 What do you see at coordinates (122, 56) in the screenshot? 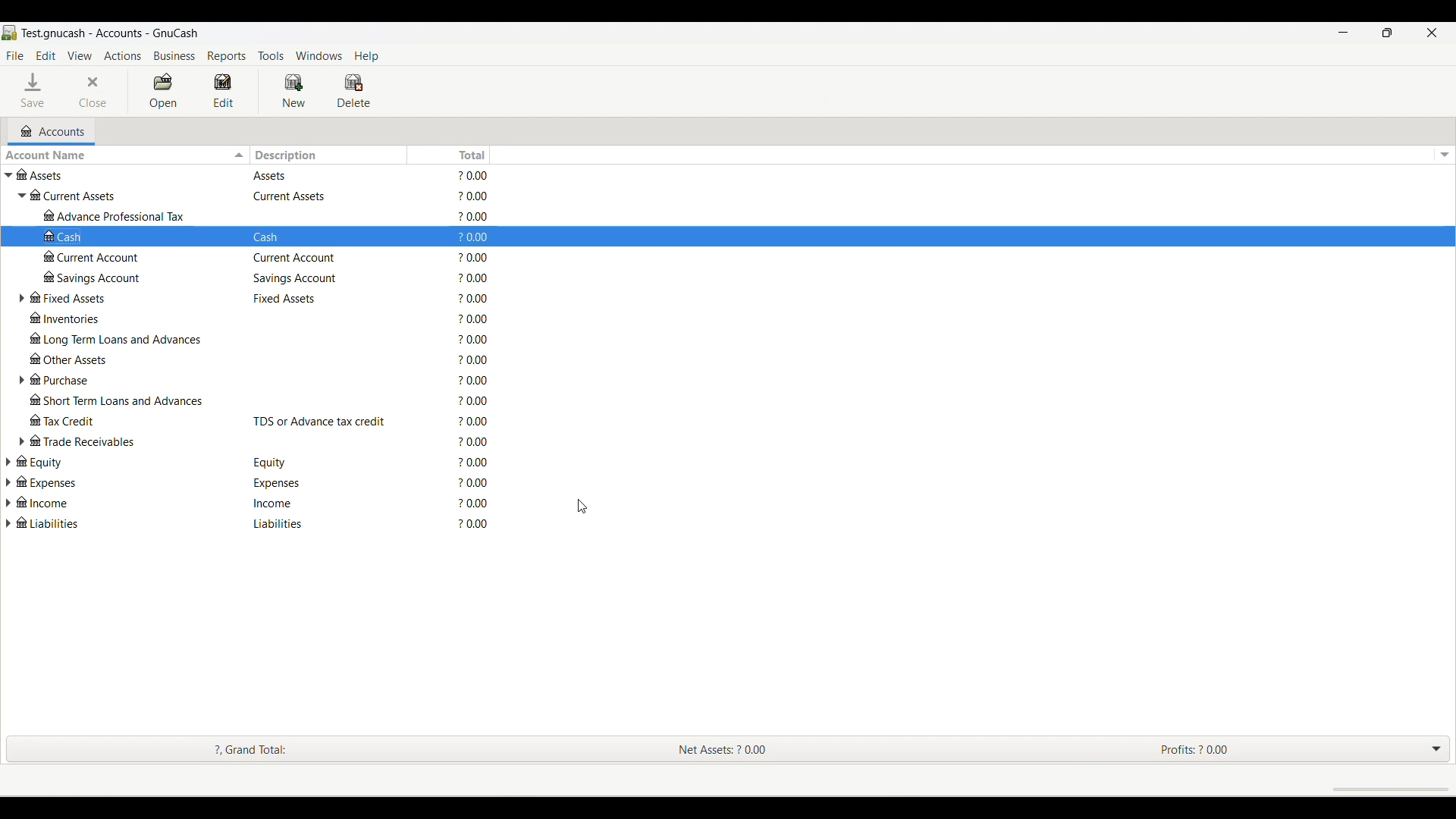
I see `Actions` at bounding box center [122, 56].